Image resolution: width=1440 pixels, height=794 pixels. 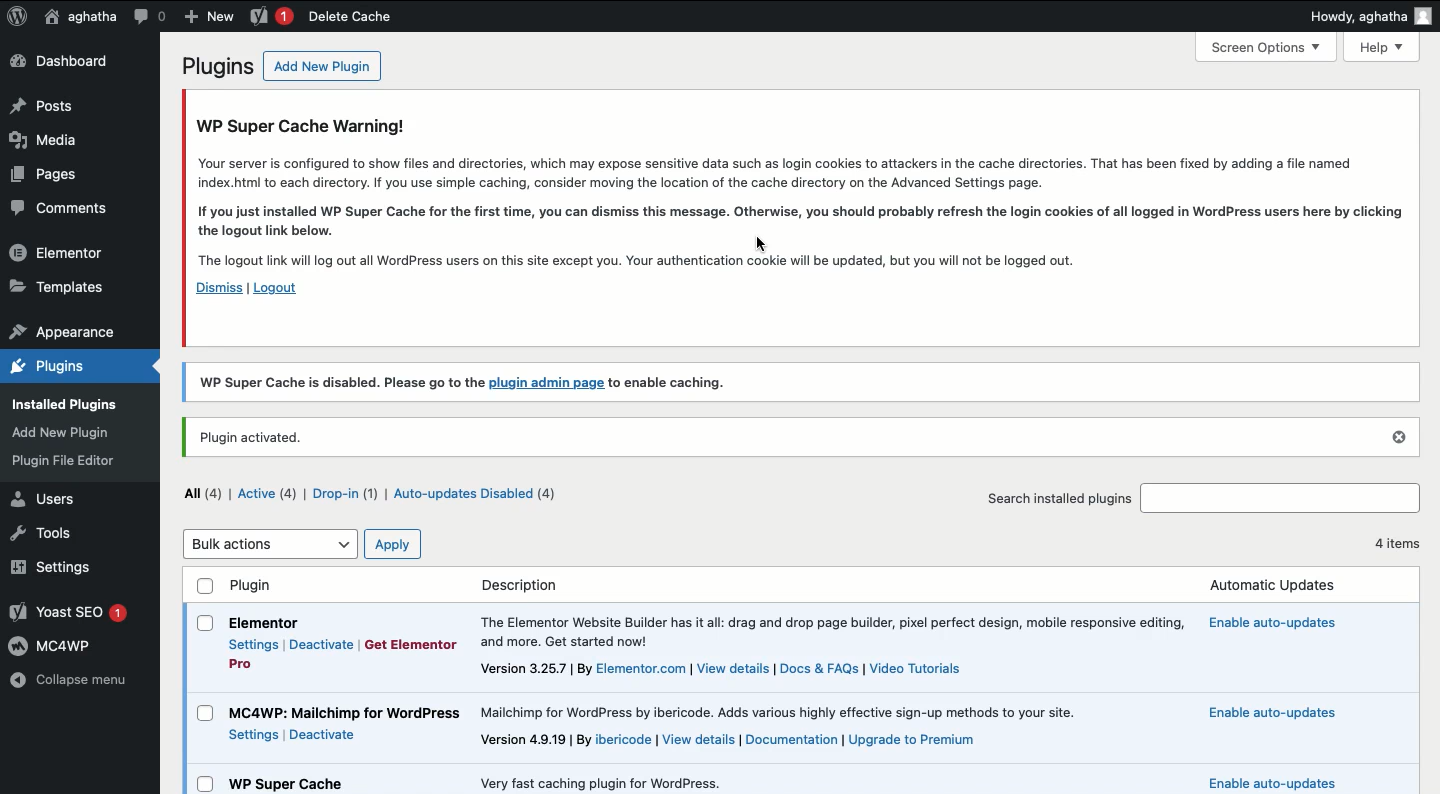 I want to click on Plugin activated, so click(x=806, y=437).